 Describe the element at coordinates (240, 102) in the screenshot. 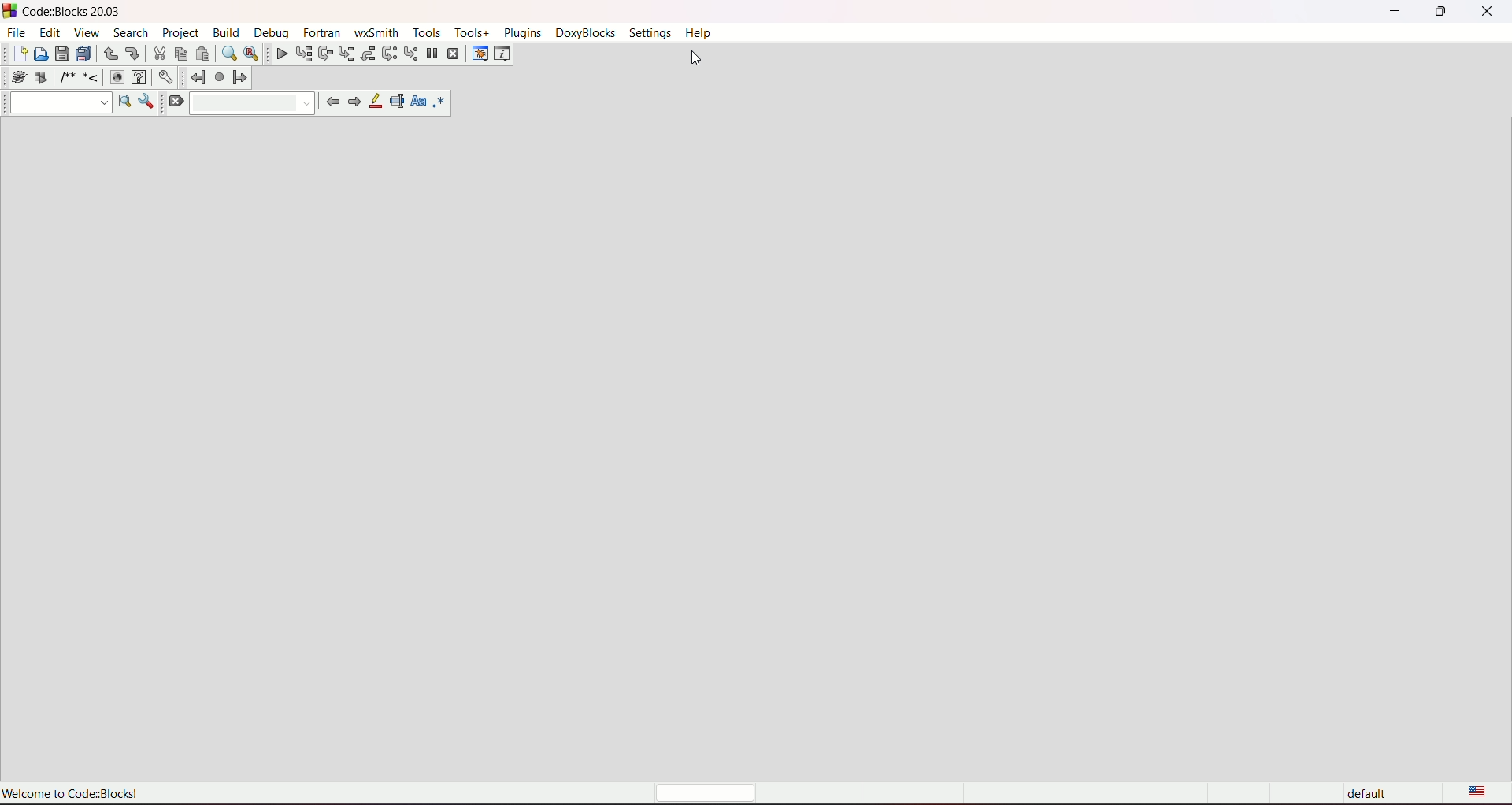

I see `drop down` at that location.